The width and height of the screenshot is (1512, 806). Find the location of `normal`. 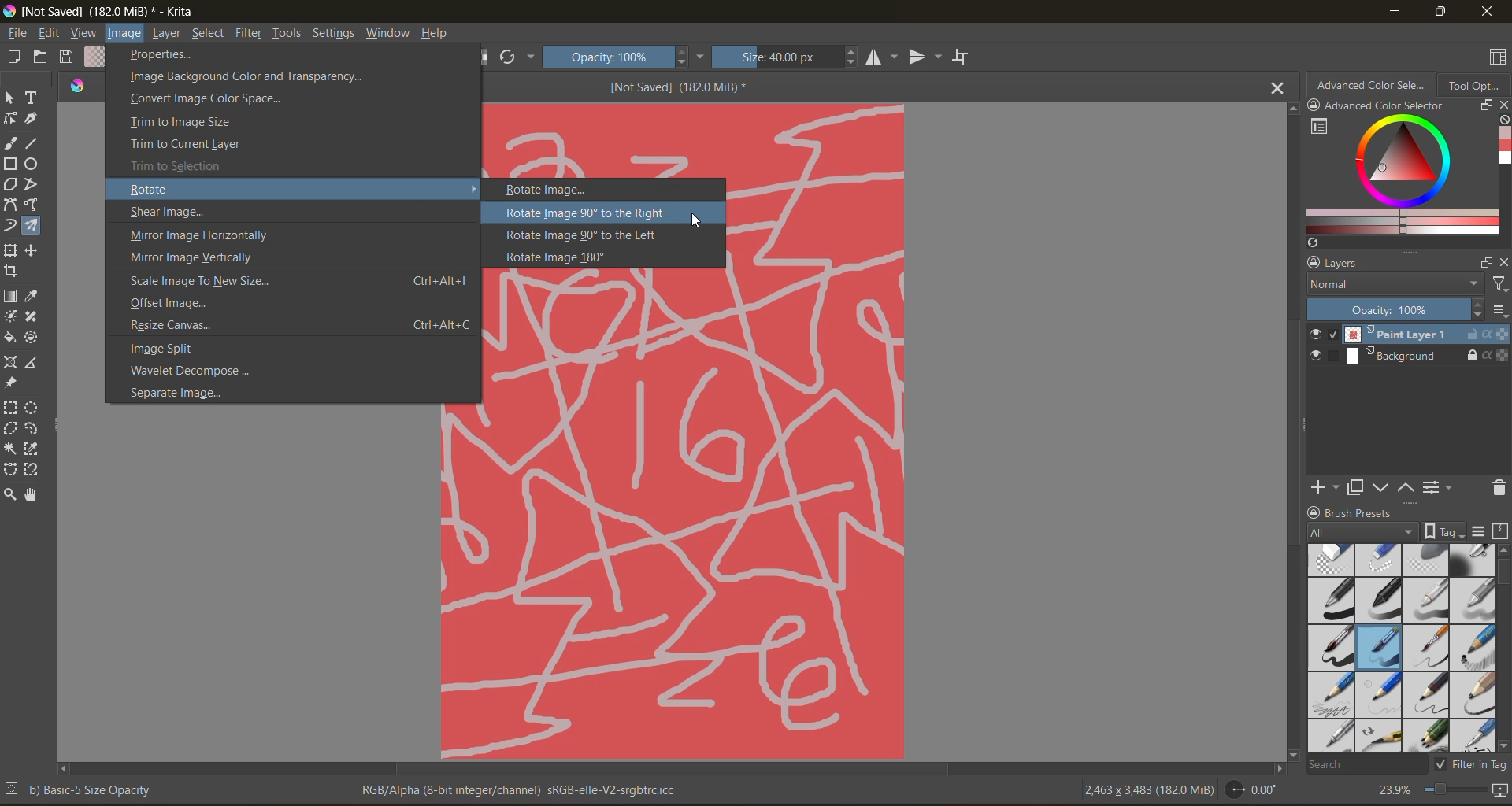

normal is located at coordinates (1393, 283).